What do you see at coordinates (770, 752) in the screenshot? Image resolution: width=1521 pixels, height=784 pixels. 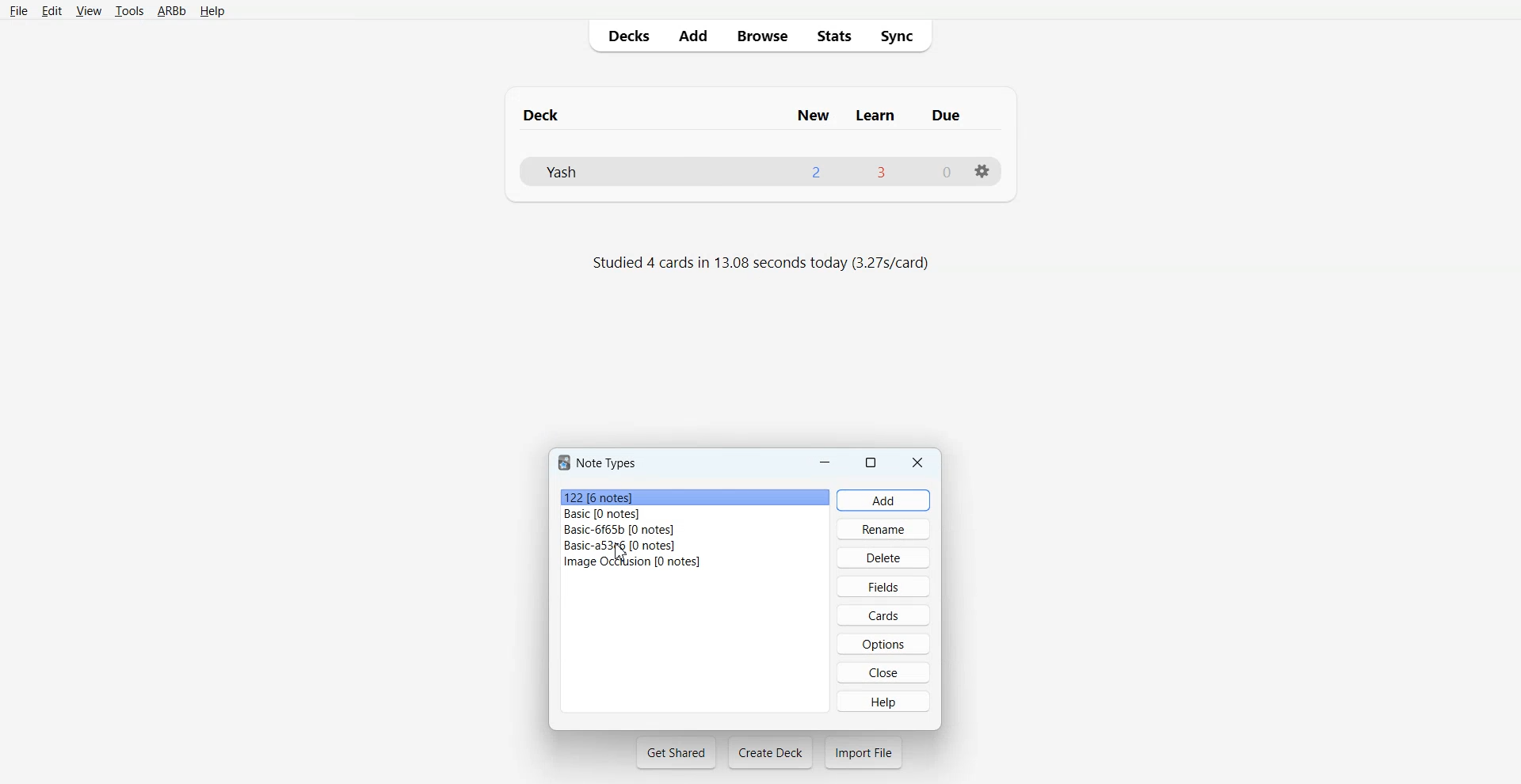 I see `Create Deck` at bounding box center [770, 752].